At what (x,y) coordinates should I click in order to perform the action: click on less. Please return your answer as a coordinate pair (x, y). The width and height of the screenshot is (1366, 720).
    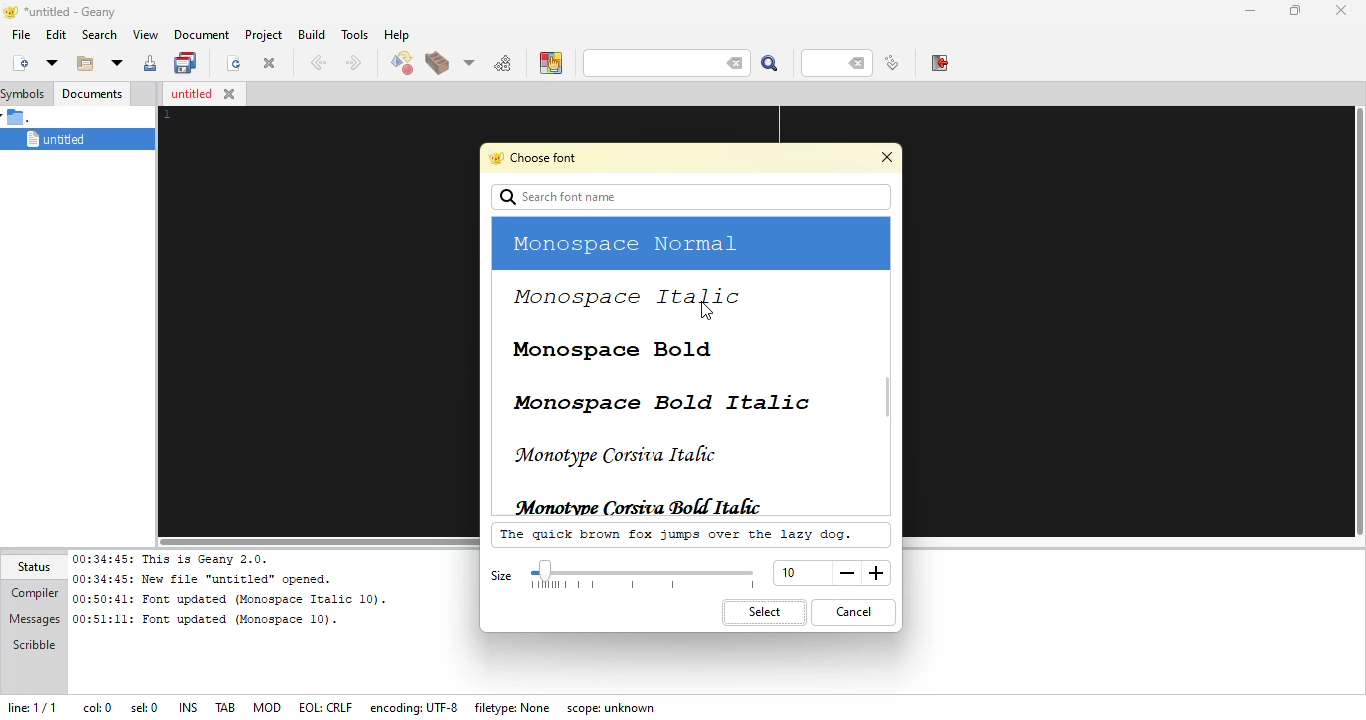
    Looking at the image, I should click on (847, 573).